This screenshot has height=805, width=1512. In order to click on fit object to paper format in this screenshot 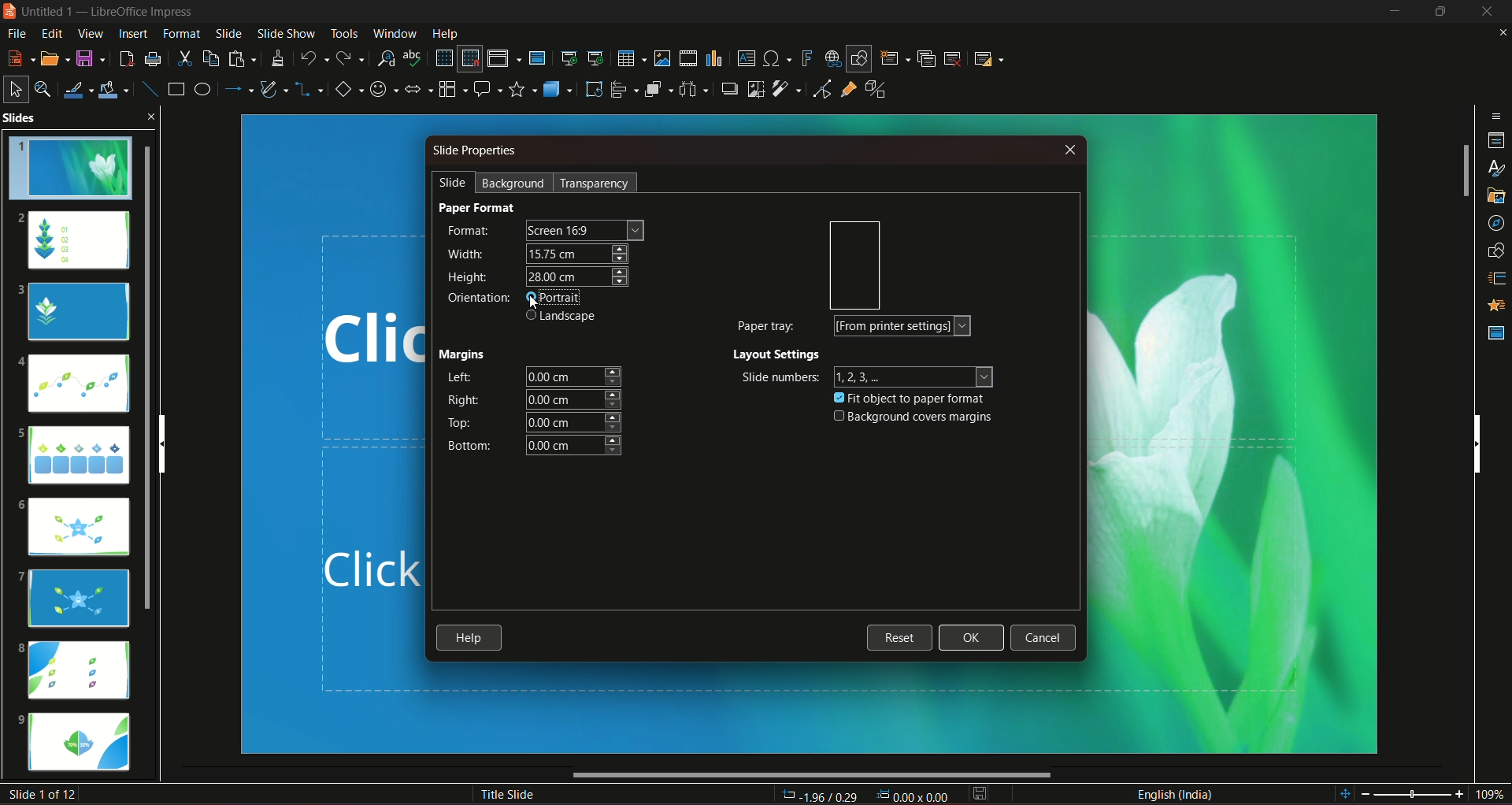, I will do `click(911, 397)`.